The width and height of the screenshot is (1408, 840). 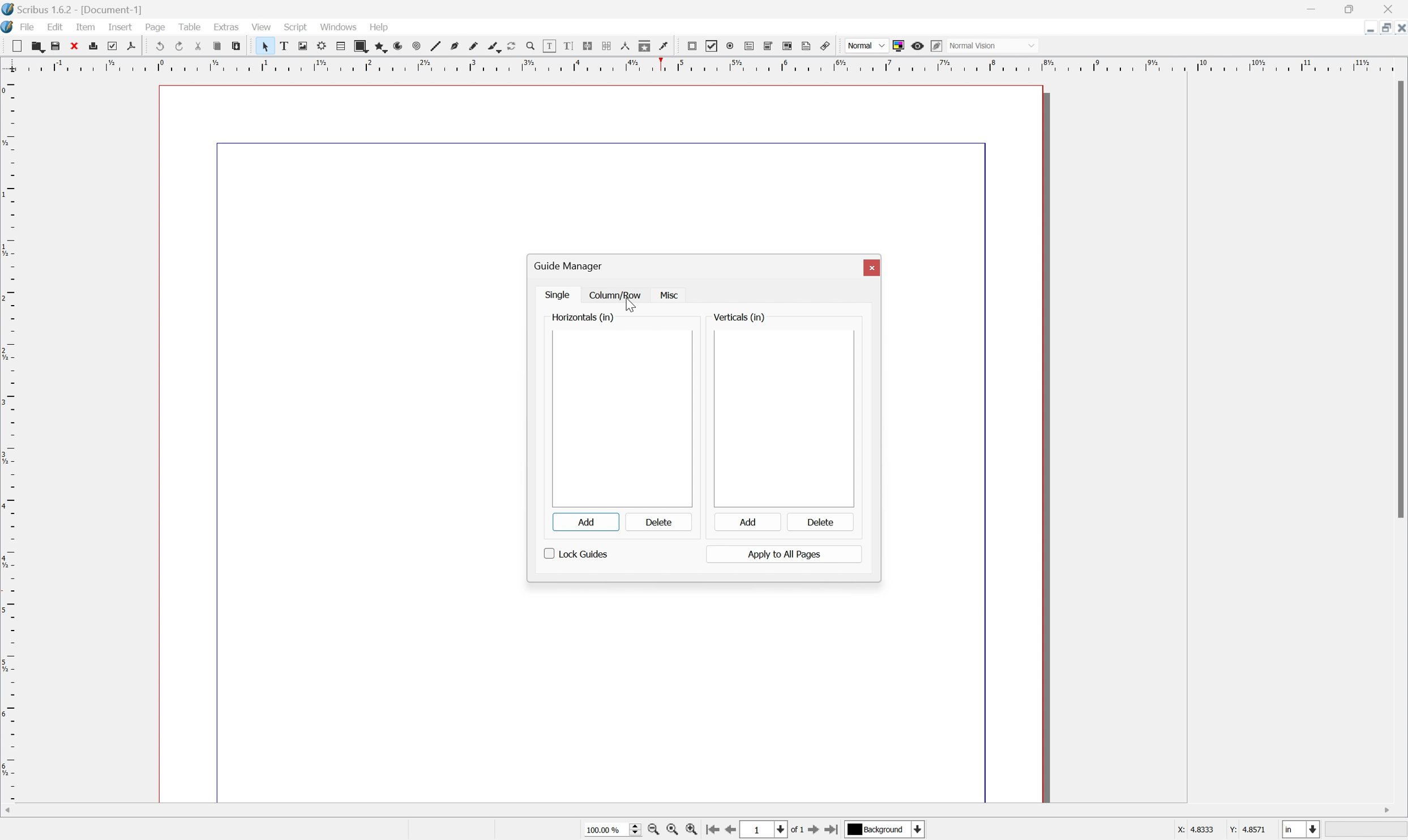 I want to click on export directly as PDF, so click(x=131, y=47).